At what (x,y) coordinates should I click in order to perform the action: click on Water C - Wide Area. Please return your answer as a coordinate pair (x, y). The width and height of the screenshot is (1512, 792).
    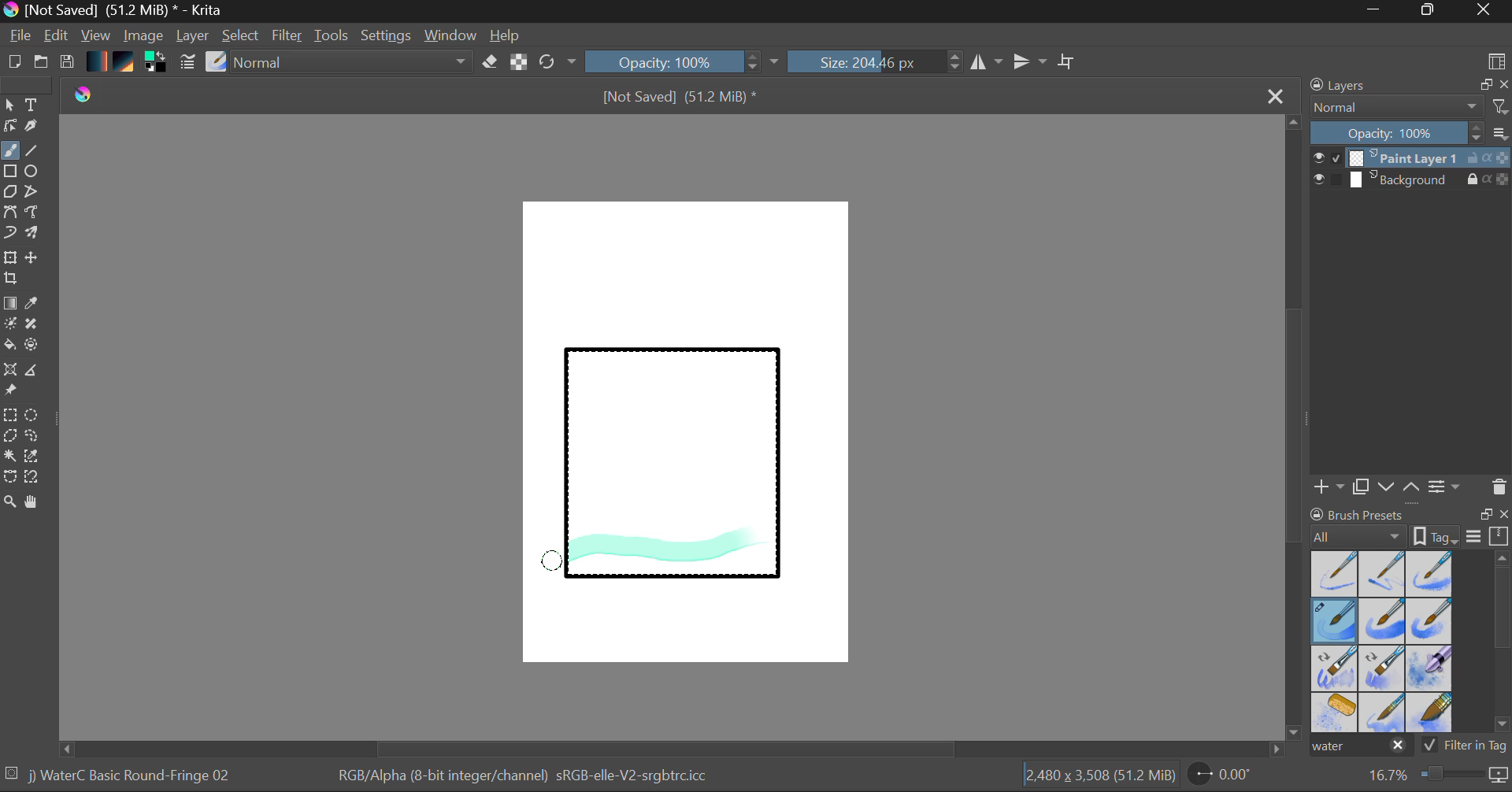
    Looking at the image, I should click on (1432, 713).